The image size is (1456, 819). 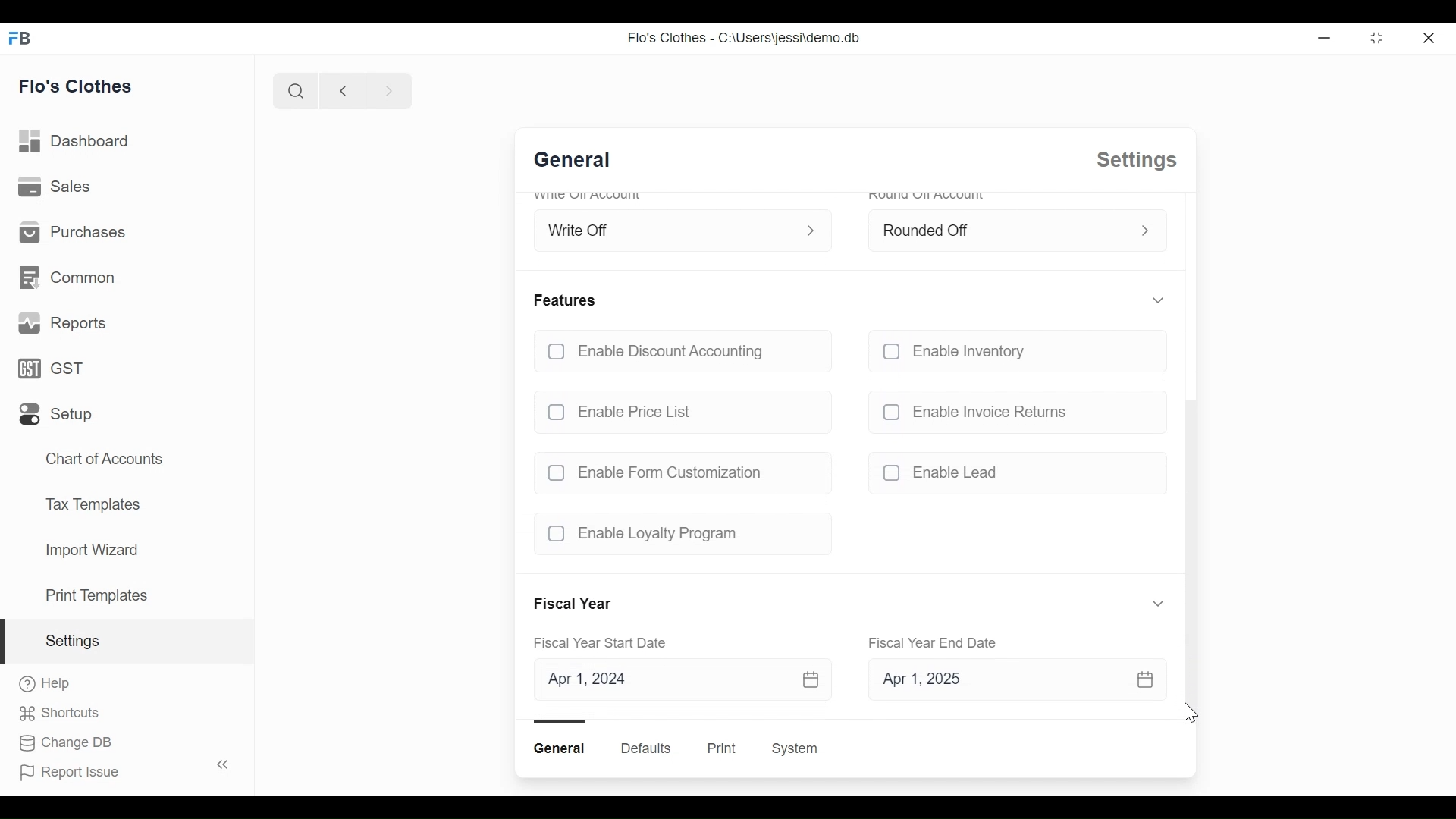 What do you see at coordinates (71, 233) in the screenshot?
I see `Purchases` at bounding box center [71, 233].